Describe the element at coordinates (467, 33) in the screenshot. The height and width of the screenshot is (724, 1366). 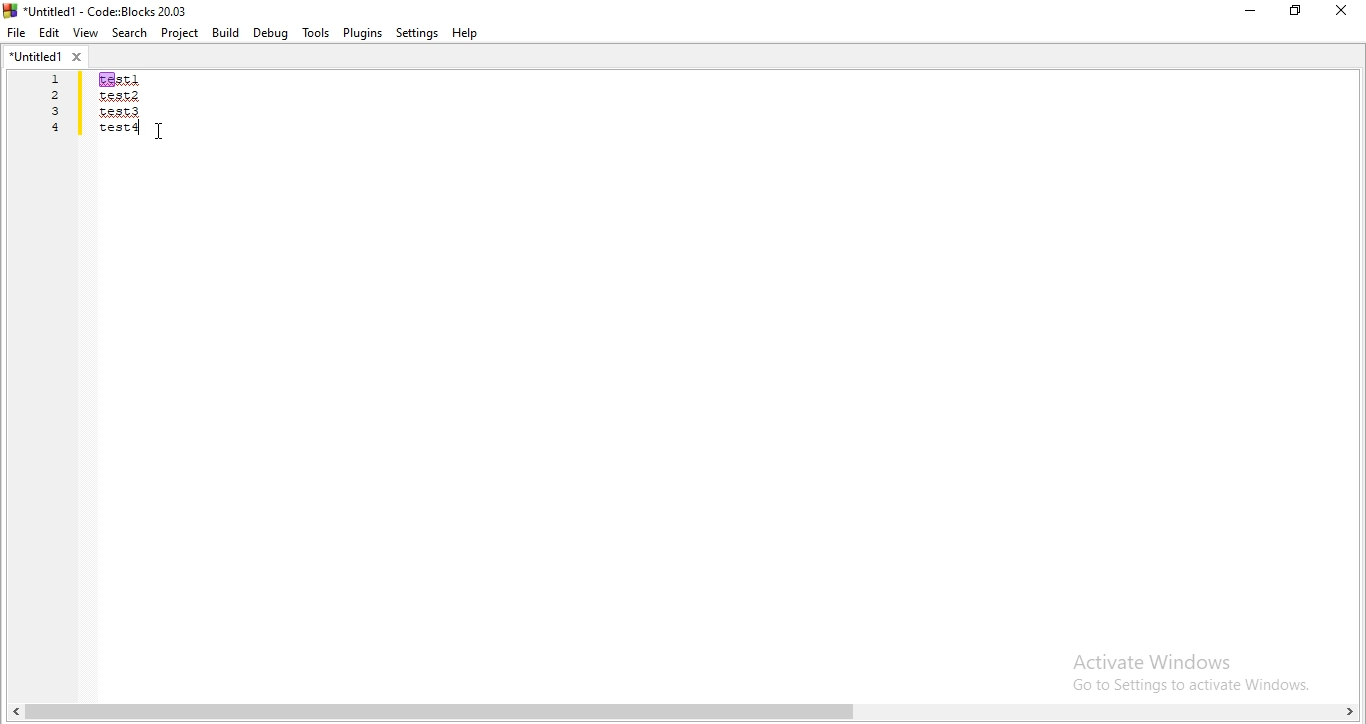
I see `help` at that location.